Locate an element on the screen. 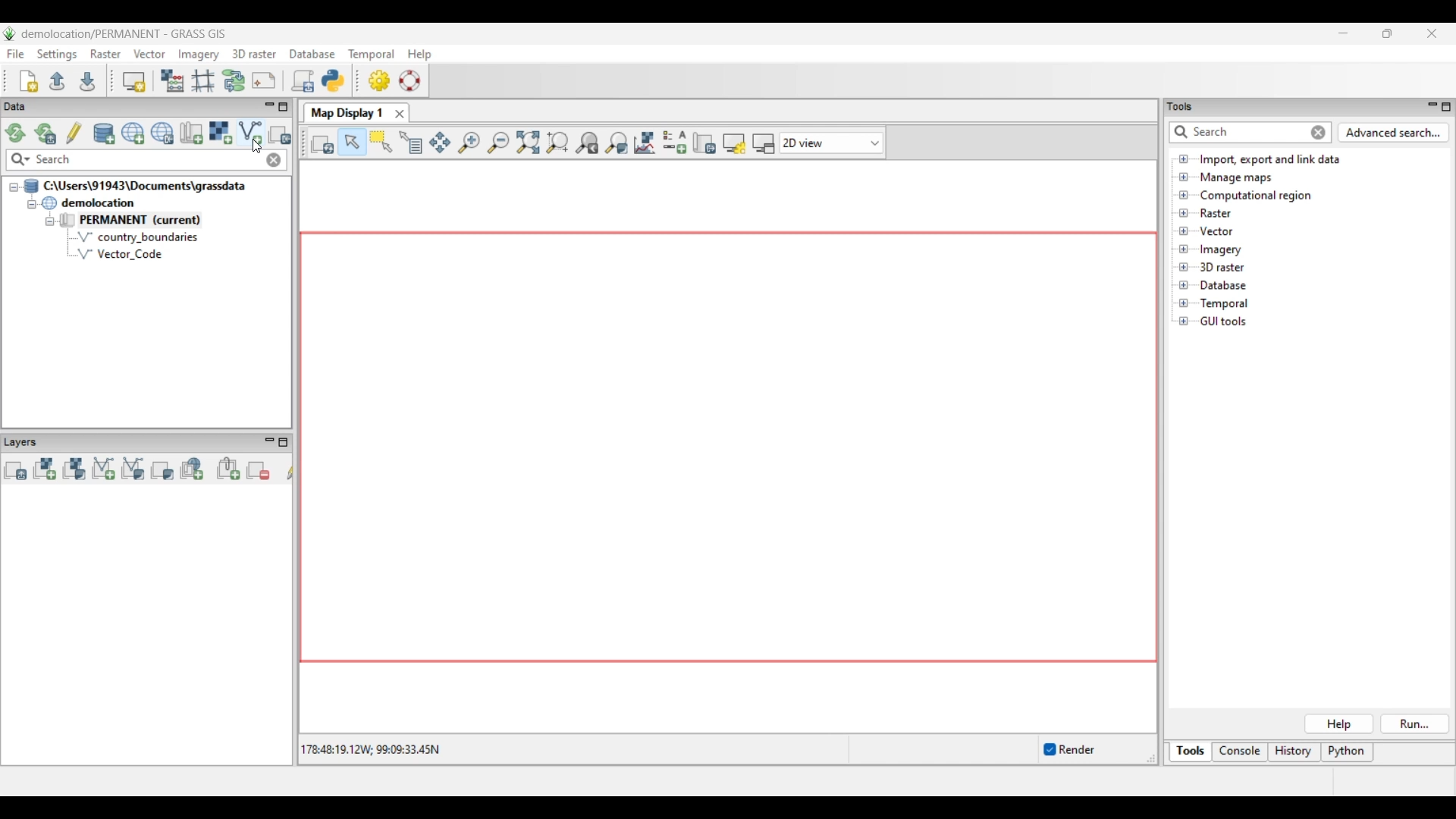 The width and height of the screenshot is (1456, 819). Project and software name is located at coordinates (124, 34).